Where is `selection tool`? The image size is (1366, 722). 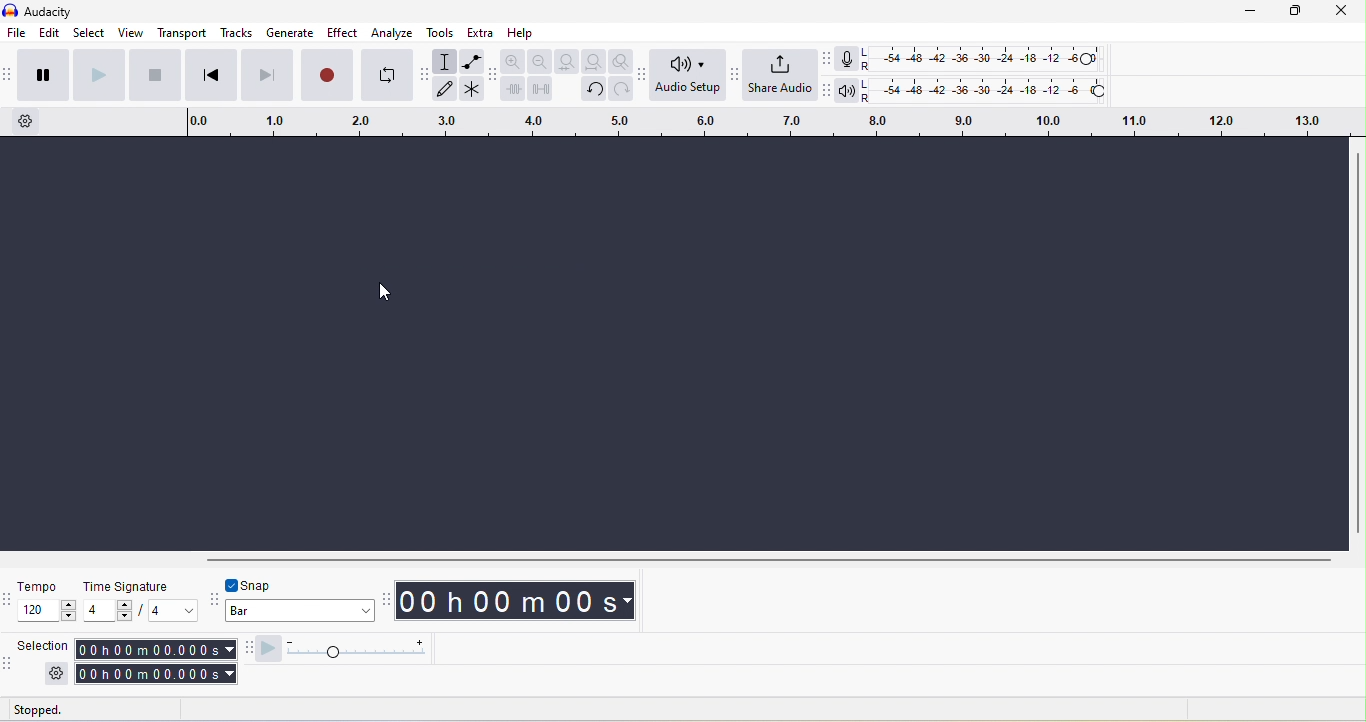 selection tool is located at coordinates (444, 61).